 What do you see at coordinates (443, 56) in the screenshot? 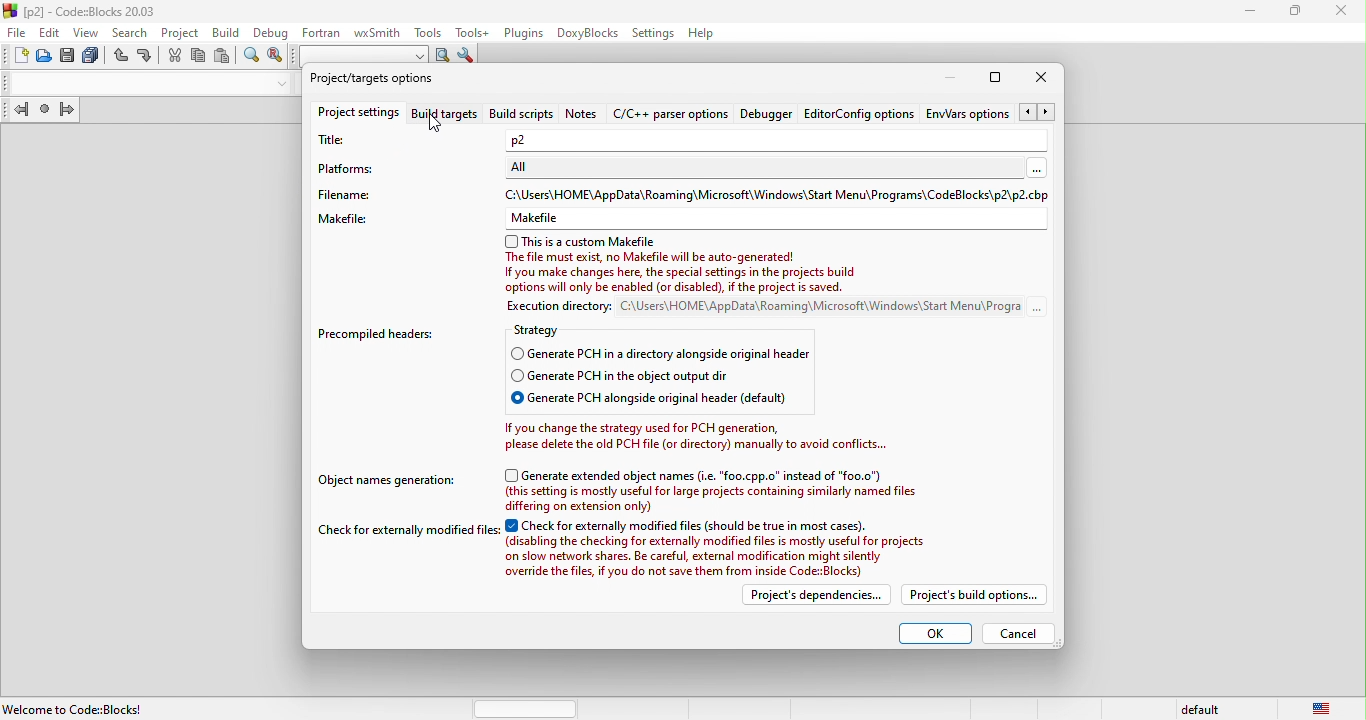
I see `run search` at bounding box center [443, 56].